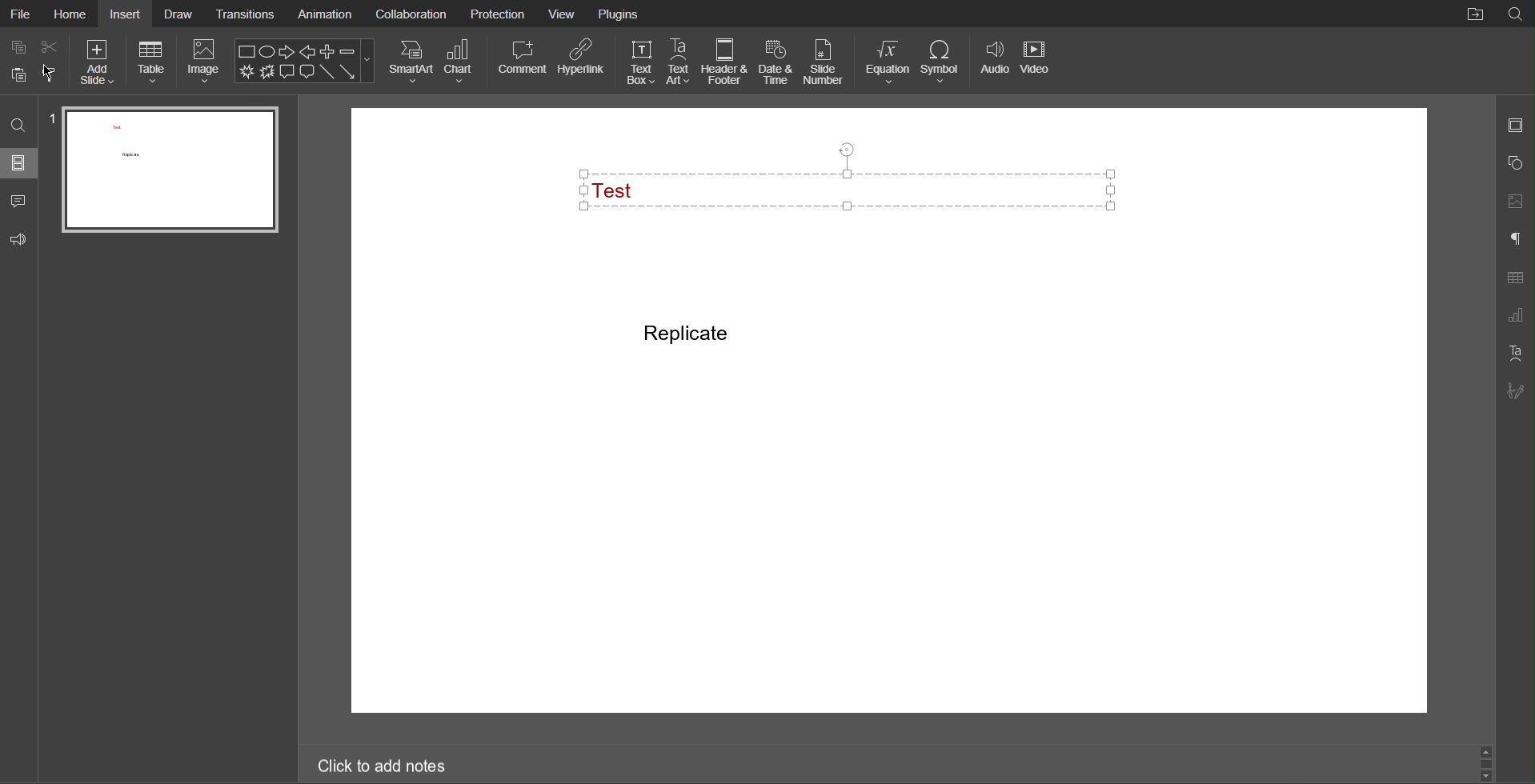 The width and height of the screenshot is (1535, 784). What do you see at coordinates (1515, 198) in the screenshot?
I see `Images` at bounding box center [1515, 198].